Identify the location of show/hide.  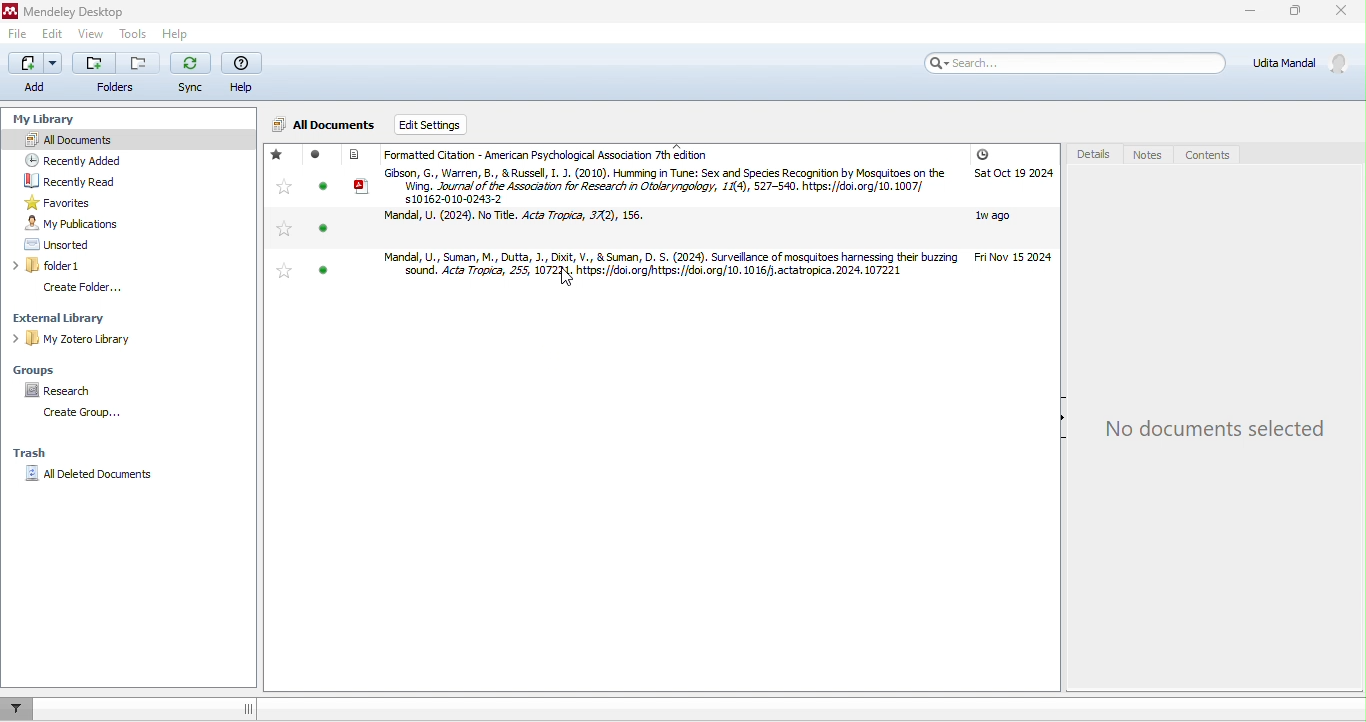
(1058, 430).